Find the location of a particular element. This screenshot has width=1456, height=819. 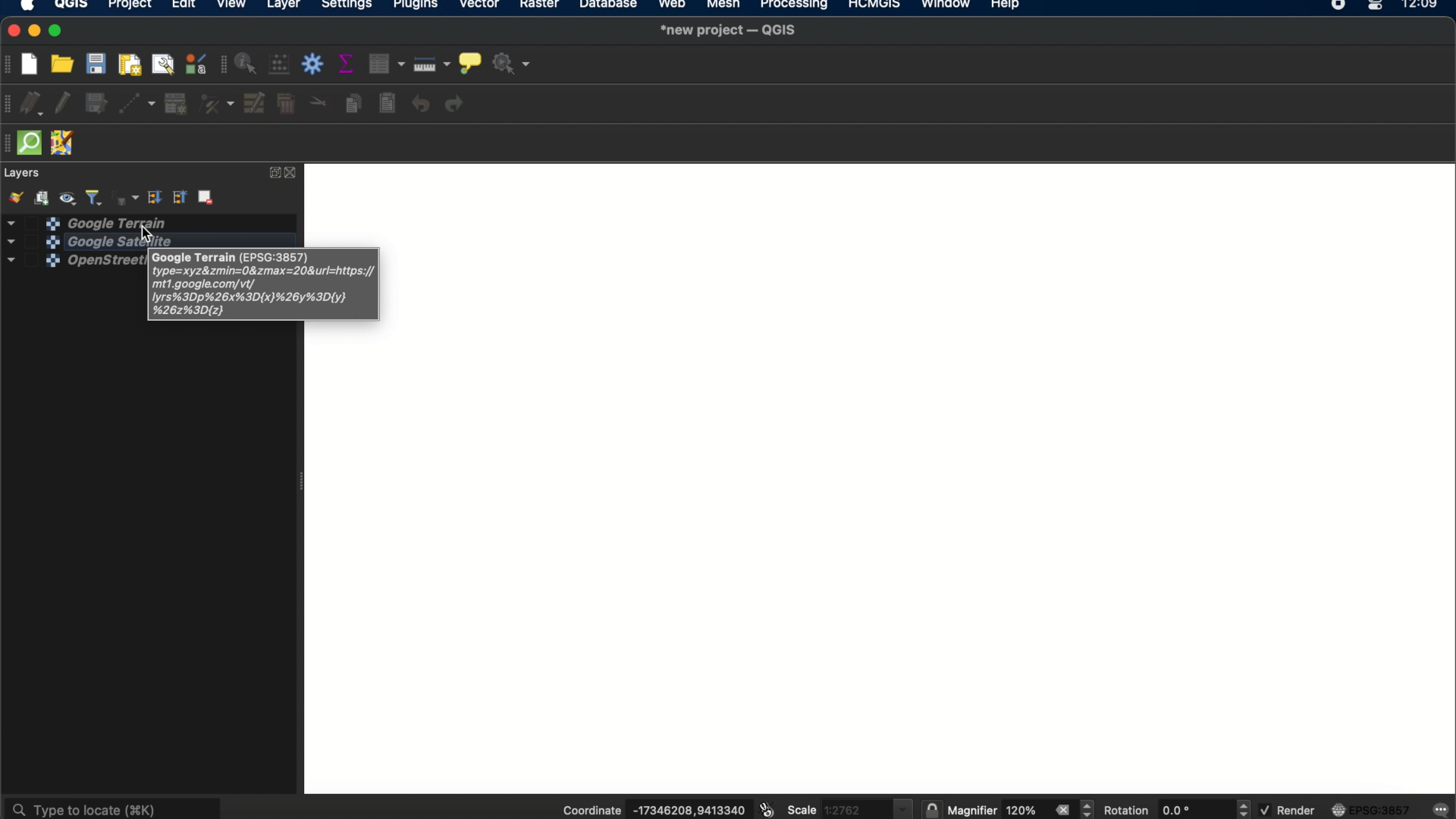

coordinate -17346208,9413340 is located at coordinates (648, 811).